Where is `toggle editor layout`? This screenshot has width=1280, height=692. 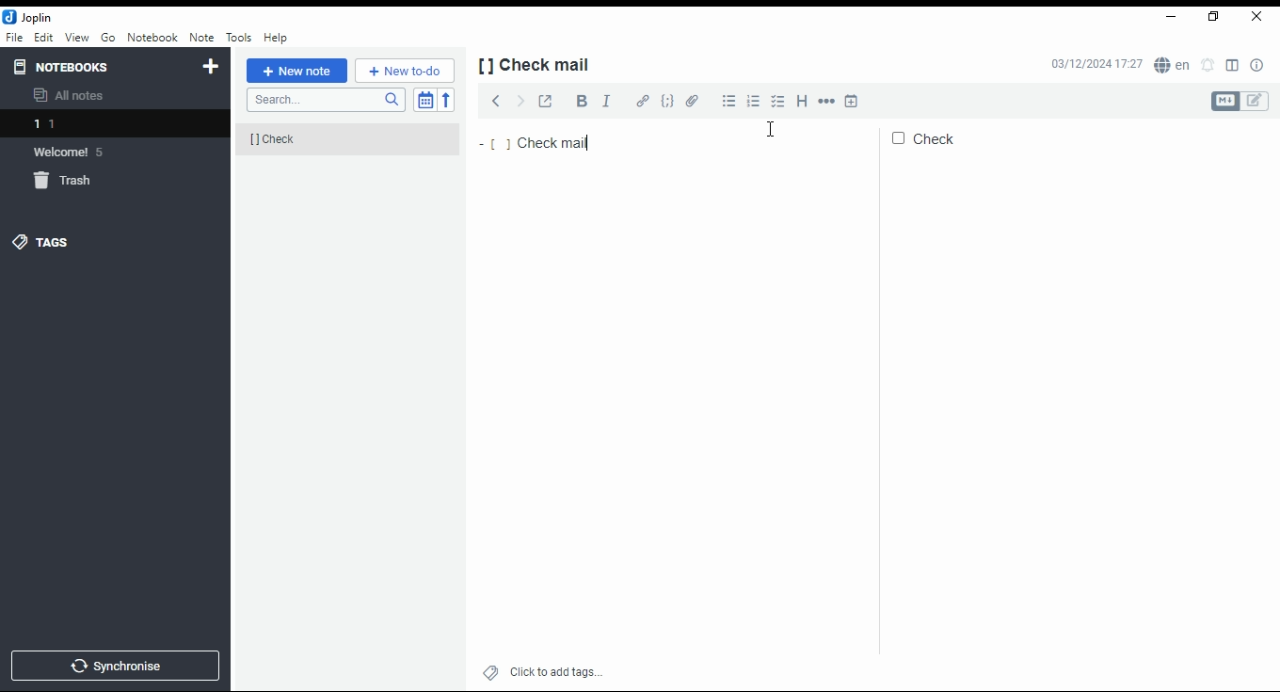 toggle editor layout is located at coordinates (1233, 63).